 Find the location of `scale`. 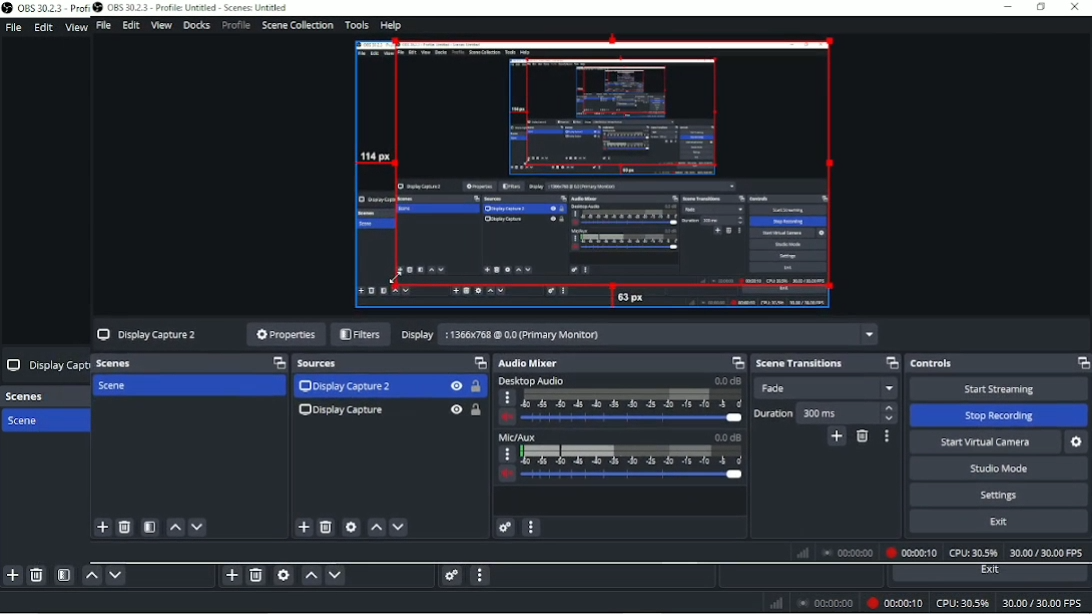

scale is located at coordinates (630, 457).